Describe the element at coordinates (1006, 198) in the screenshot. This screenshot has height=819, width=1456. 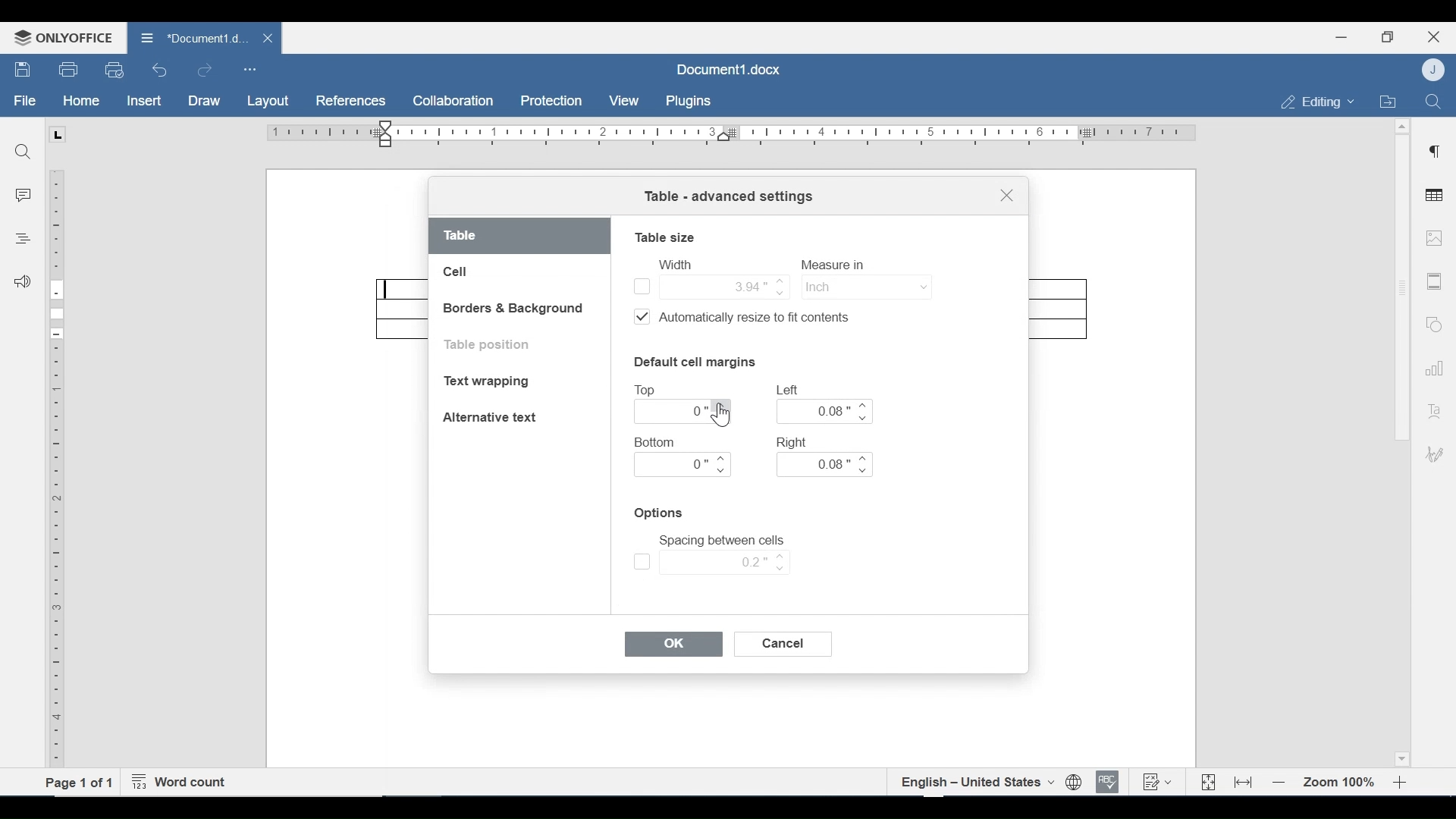
I see `Close` at that location.